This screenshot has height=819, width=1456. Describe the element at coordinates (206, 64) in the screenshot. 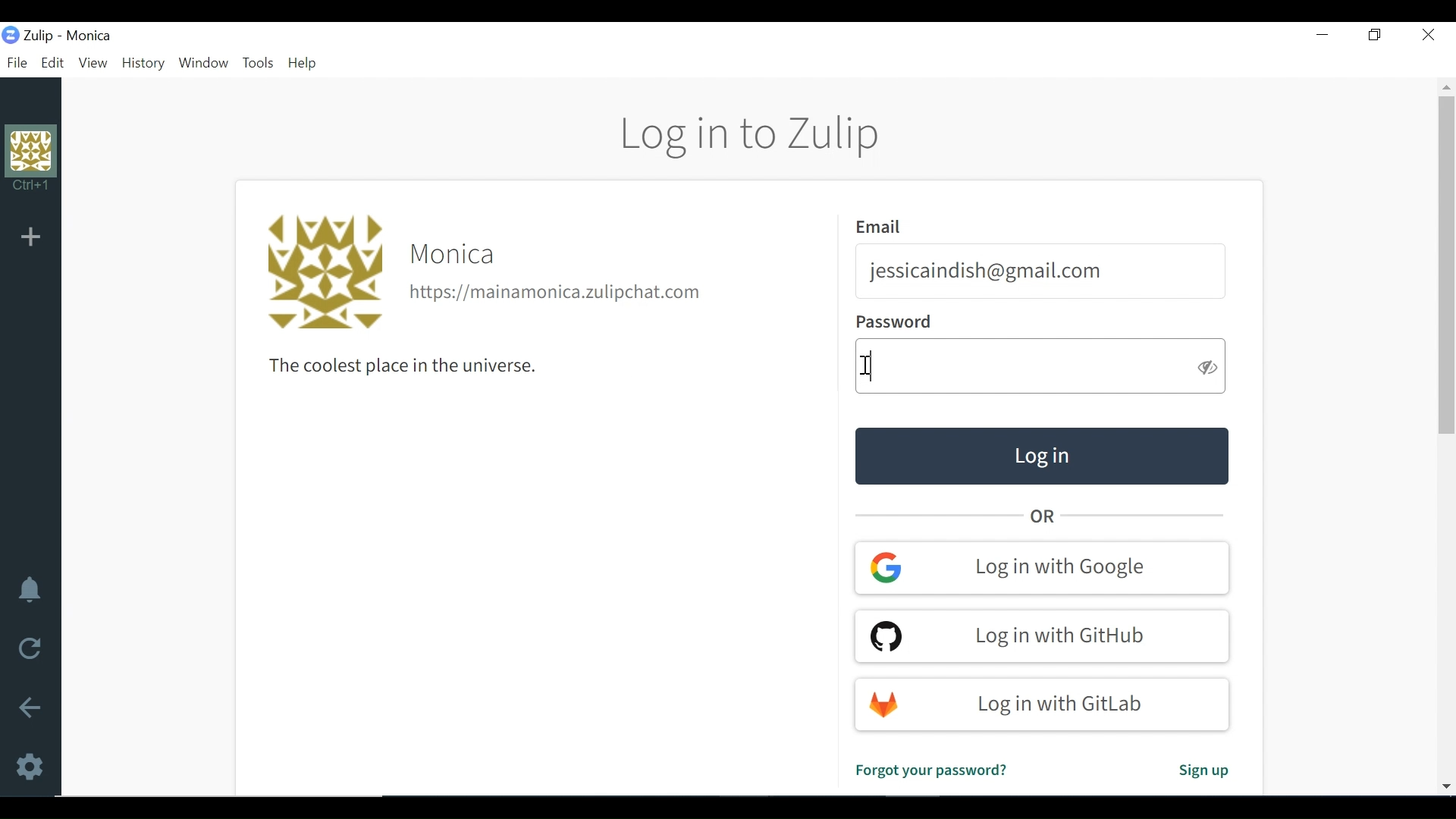

I see `Window` at that location.